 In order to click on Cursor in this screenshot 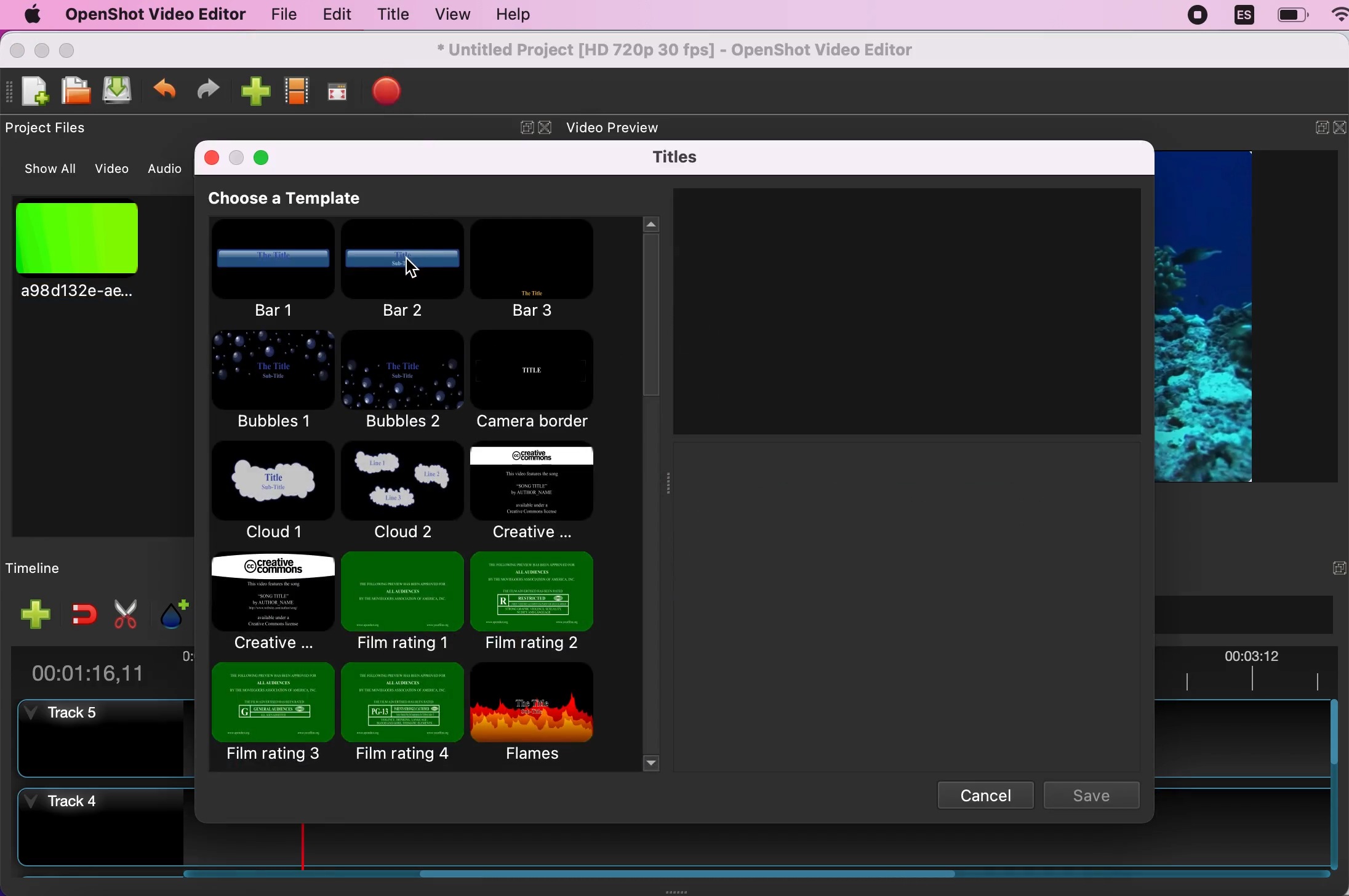, I will do `click(412, 267)`.